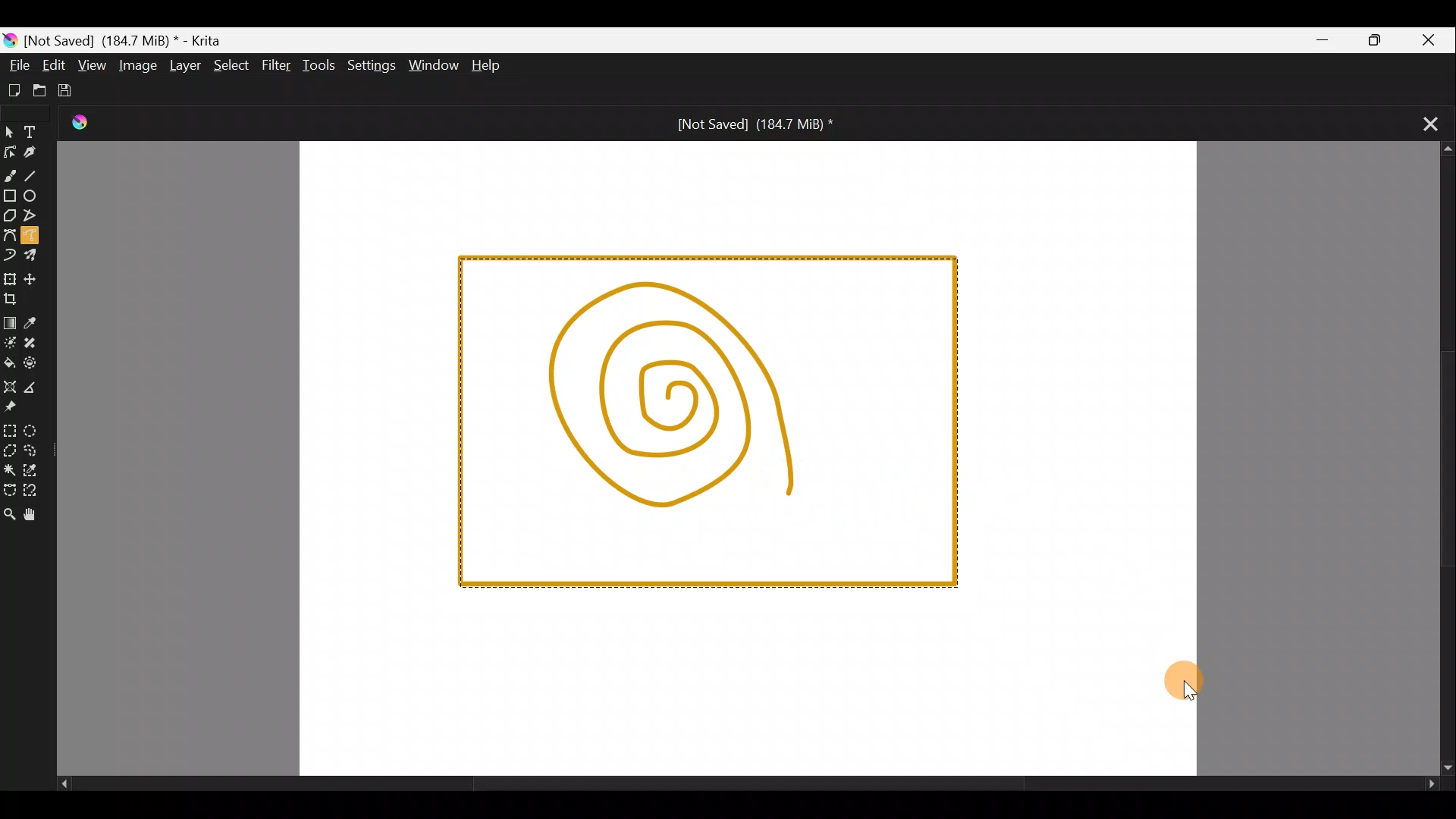  I want to click on Similar colour selection tool, so click(40, 470).